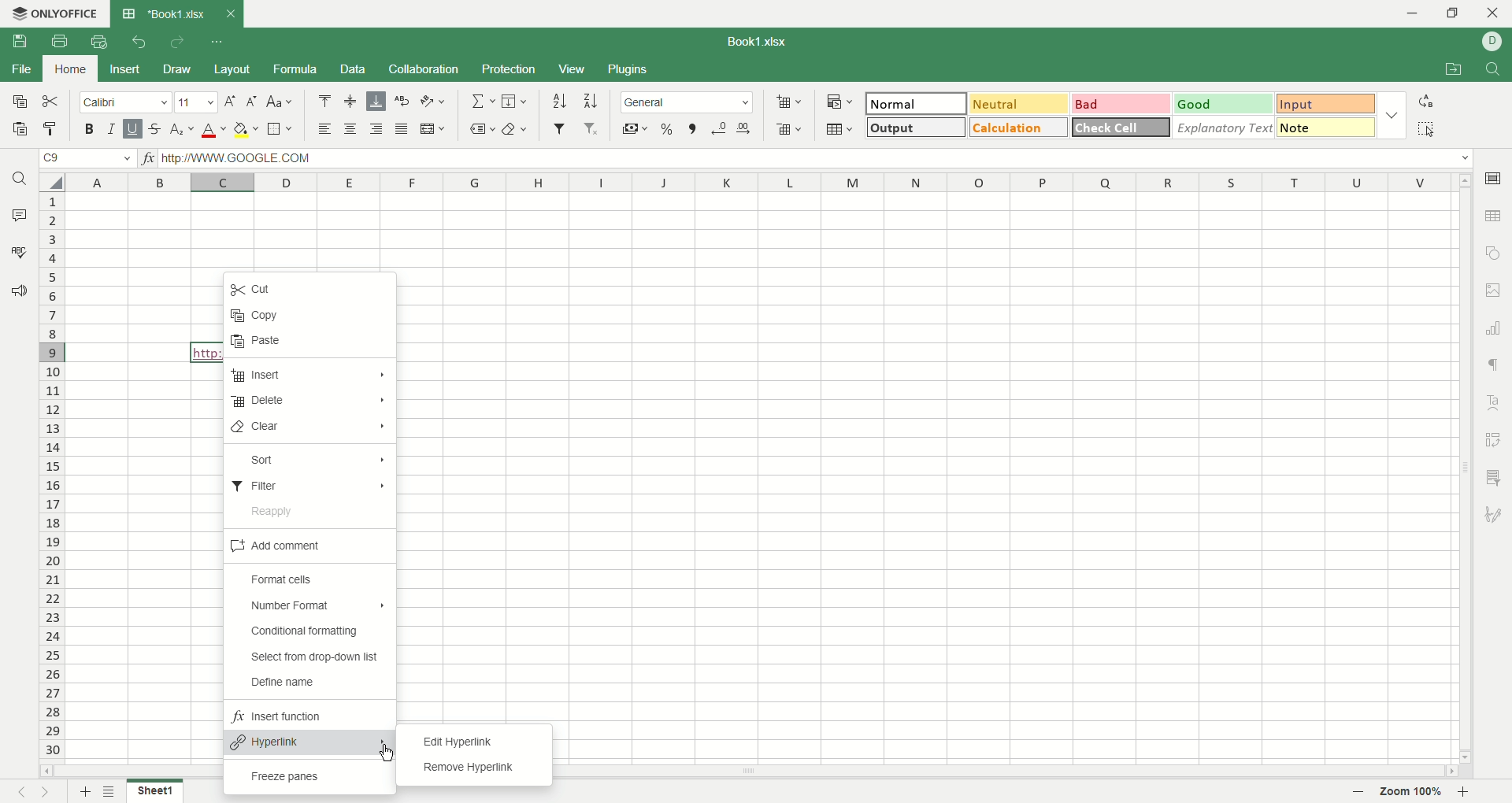  Describe the element at coordinates (86, 790) in the screenshot. I see `new sheet` at that location.